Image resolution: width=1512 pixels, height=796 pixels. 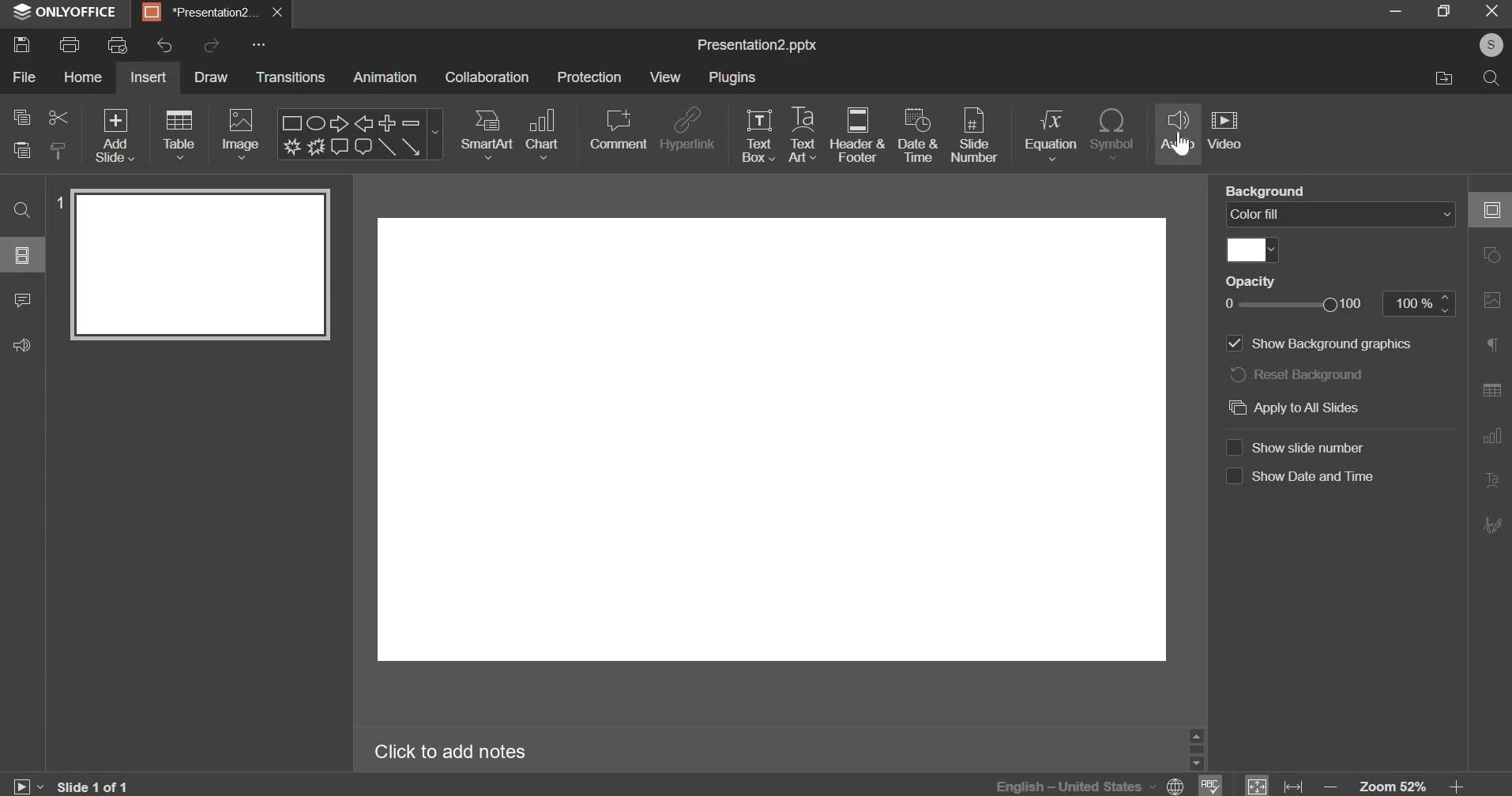 I want to click on onlyoffice, so click(x=66, y=13).